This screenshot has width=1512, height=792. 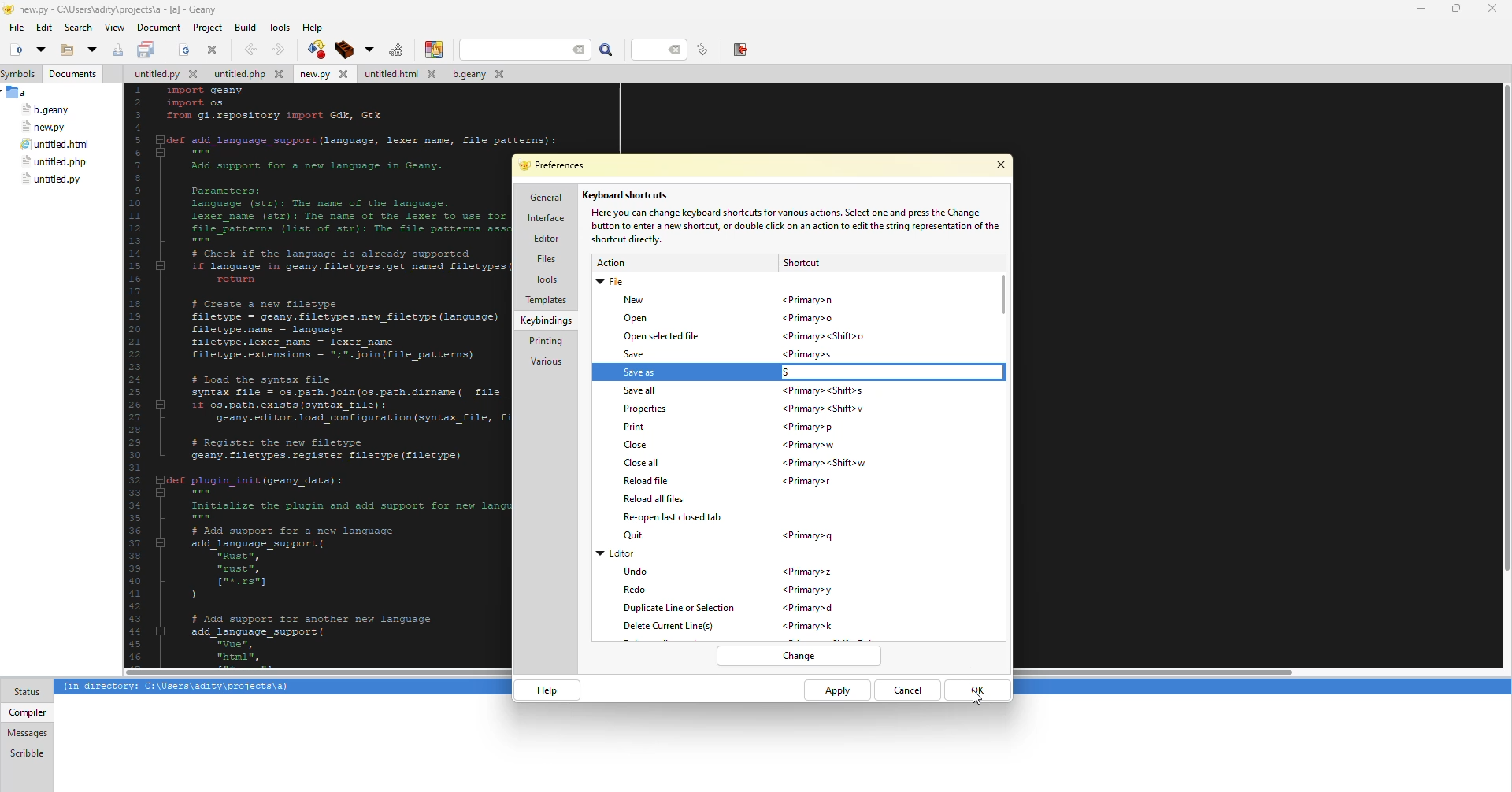 I want to click on shortcut, so click(x=809, y=536).